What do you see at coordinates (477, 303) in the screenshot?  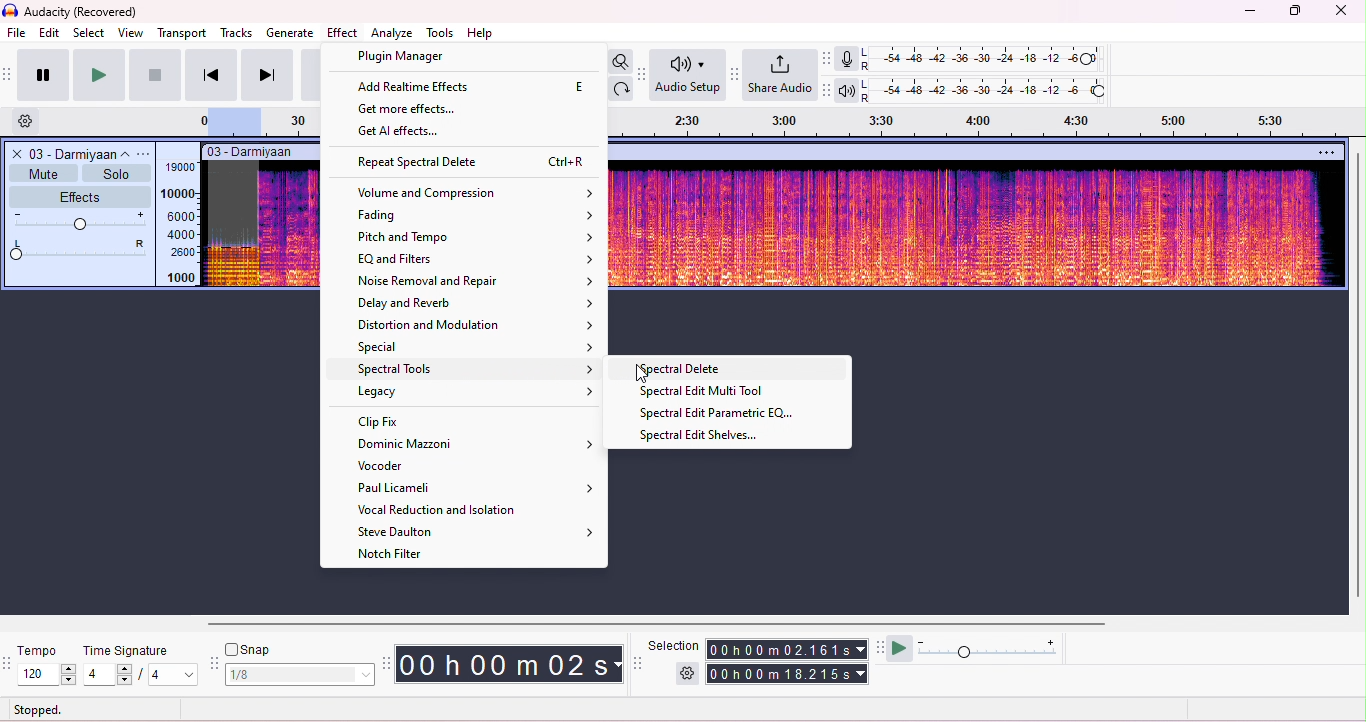 I see `delay and reverb` at bounding box center [477, 303].